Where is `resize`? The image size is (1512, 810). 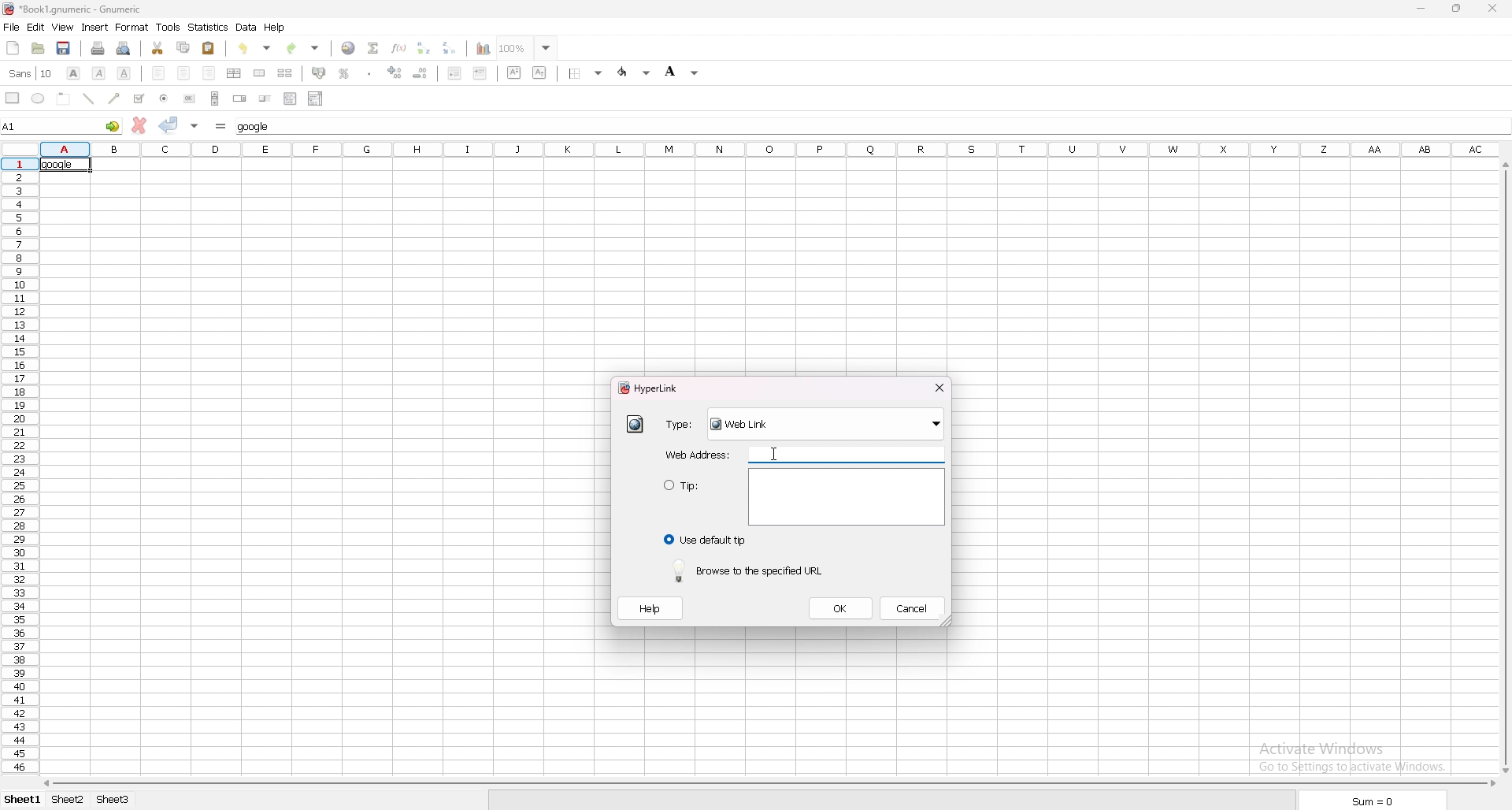
resize is located at coordinates (1458, 8).